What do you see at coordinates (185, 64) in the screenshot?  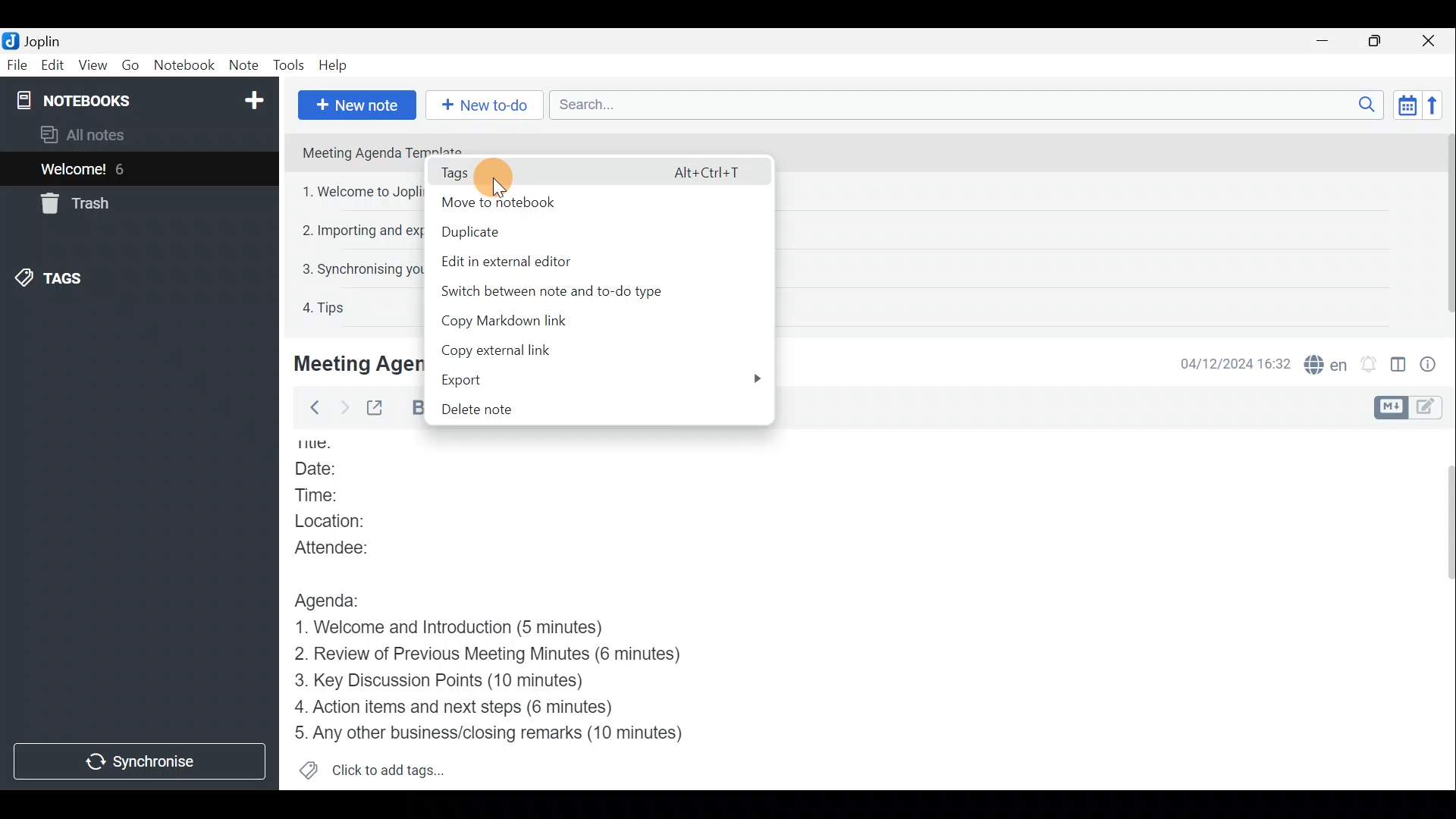 I see `Notebook` at bounding box center [185, 64].